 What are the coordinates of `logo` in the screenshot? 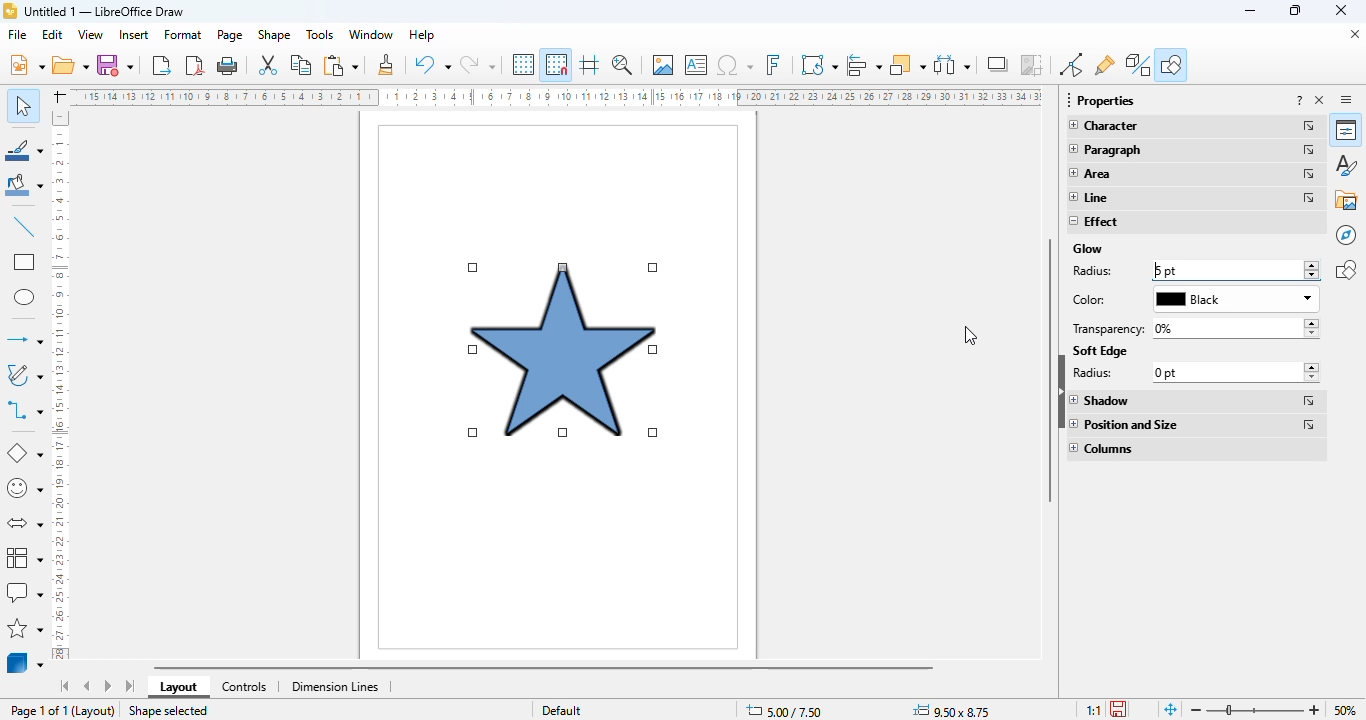 It's located at (10, 10).